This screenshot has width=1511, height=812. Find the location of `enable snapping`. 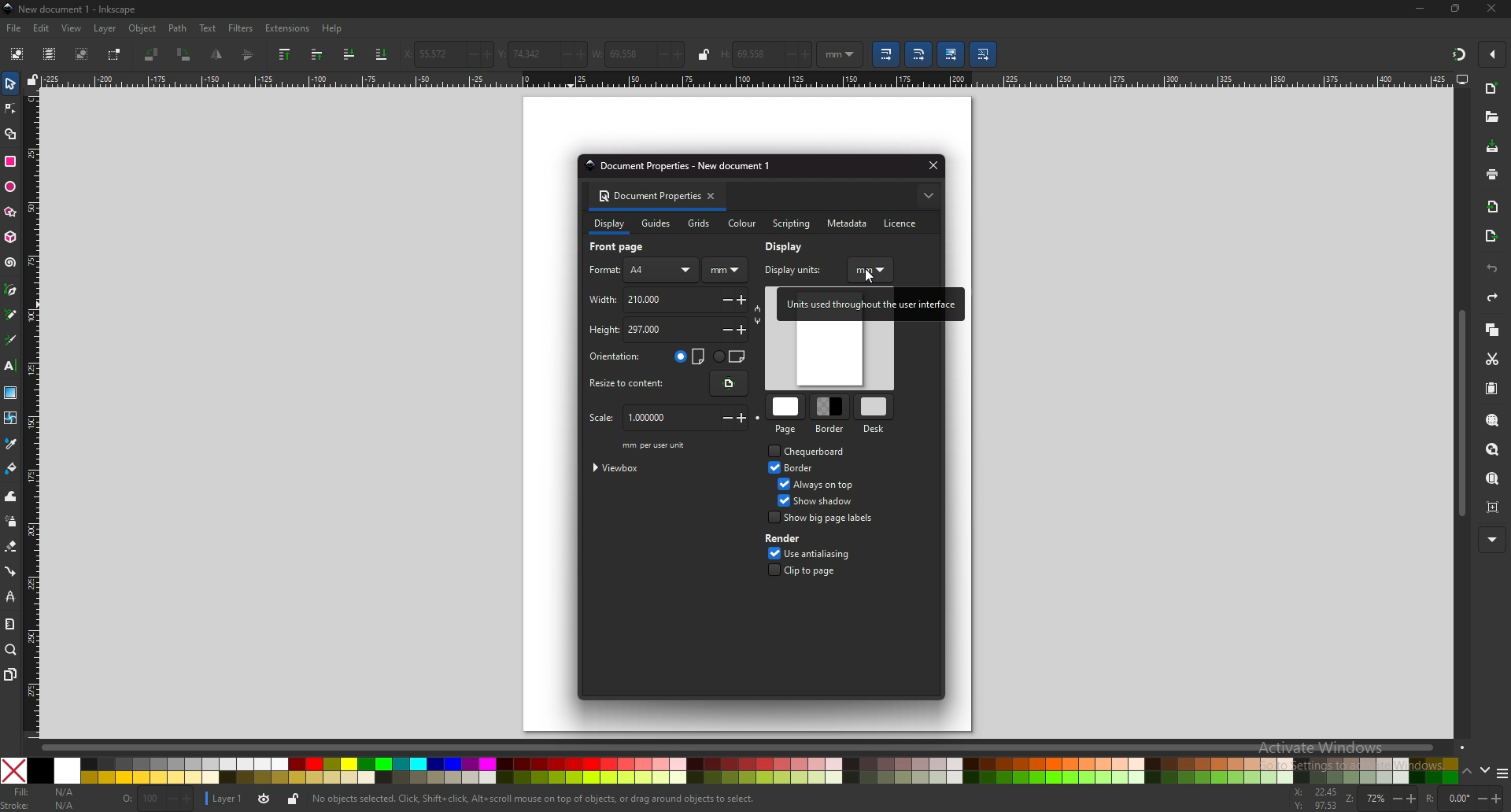

enable snapping is located at coordinates (1489, 54).